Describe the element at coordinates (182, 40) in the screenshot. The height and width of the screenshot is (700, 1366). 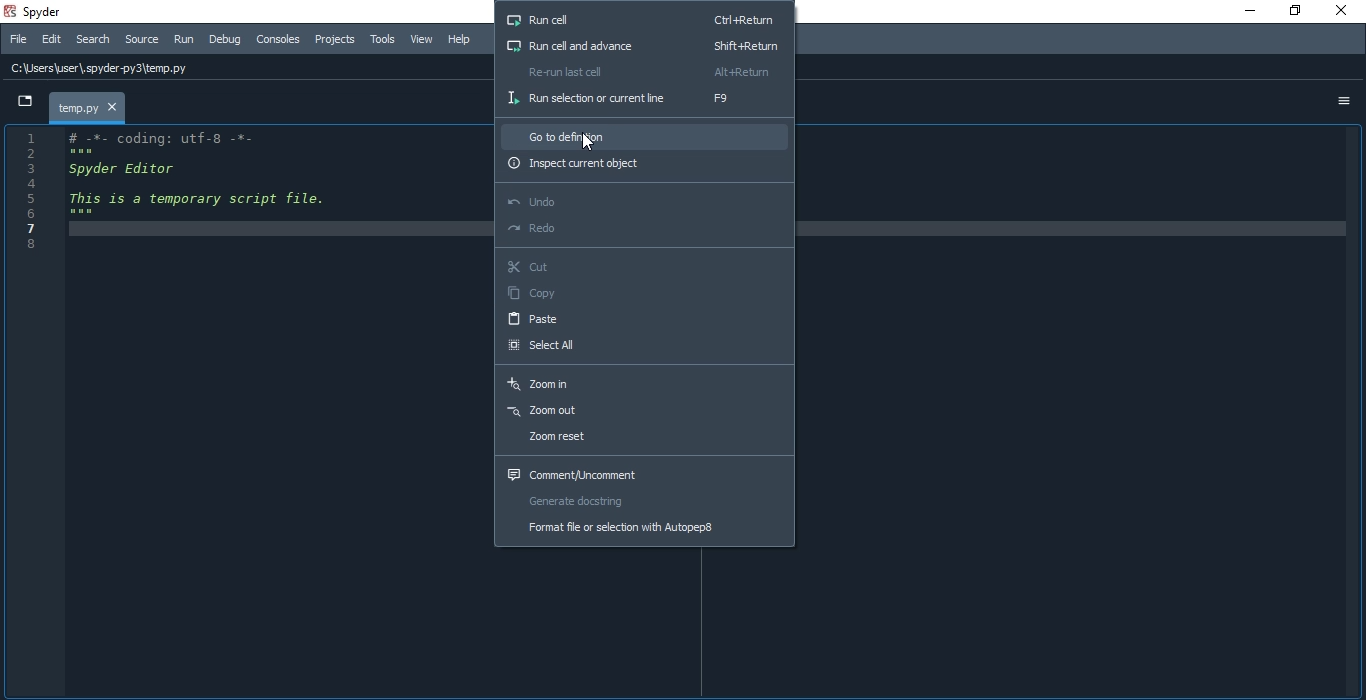
I see `Run` at that location.